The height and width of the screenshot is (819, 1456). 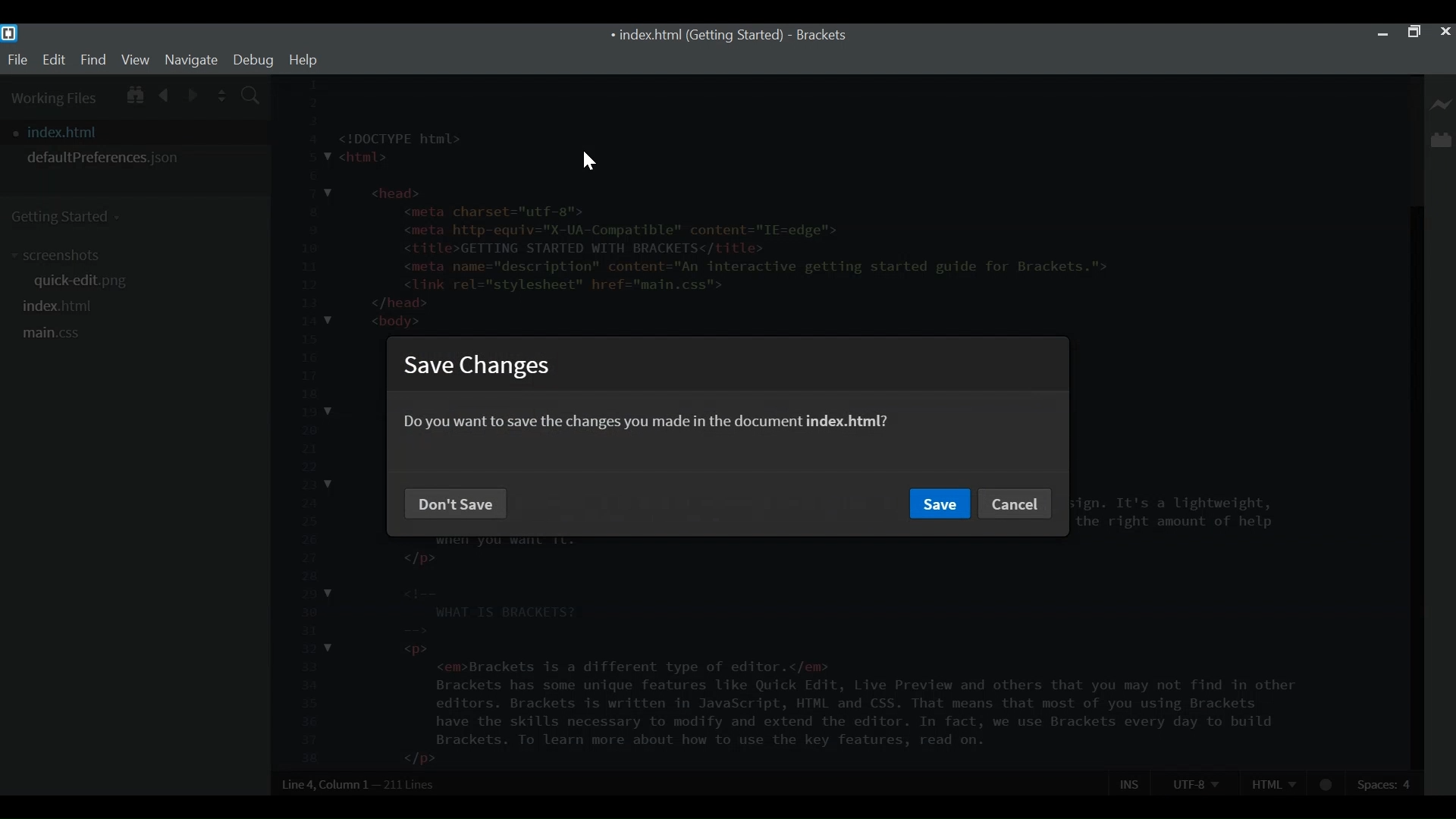 I want to click on defaultPreferences.json, so click(x=135, y=158).